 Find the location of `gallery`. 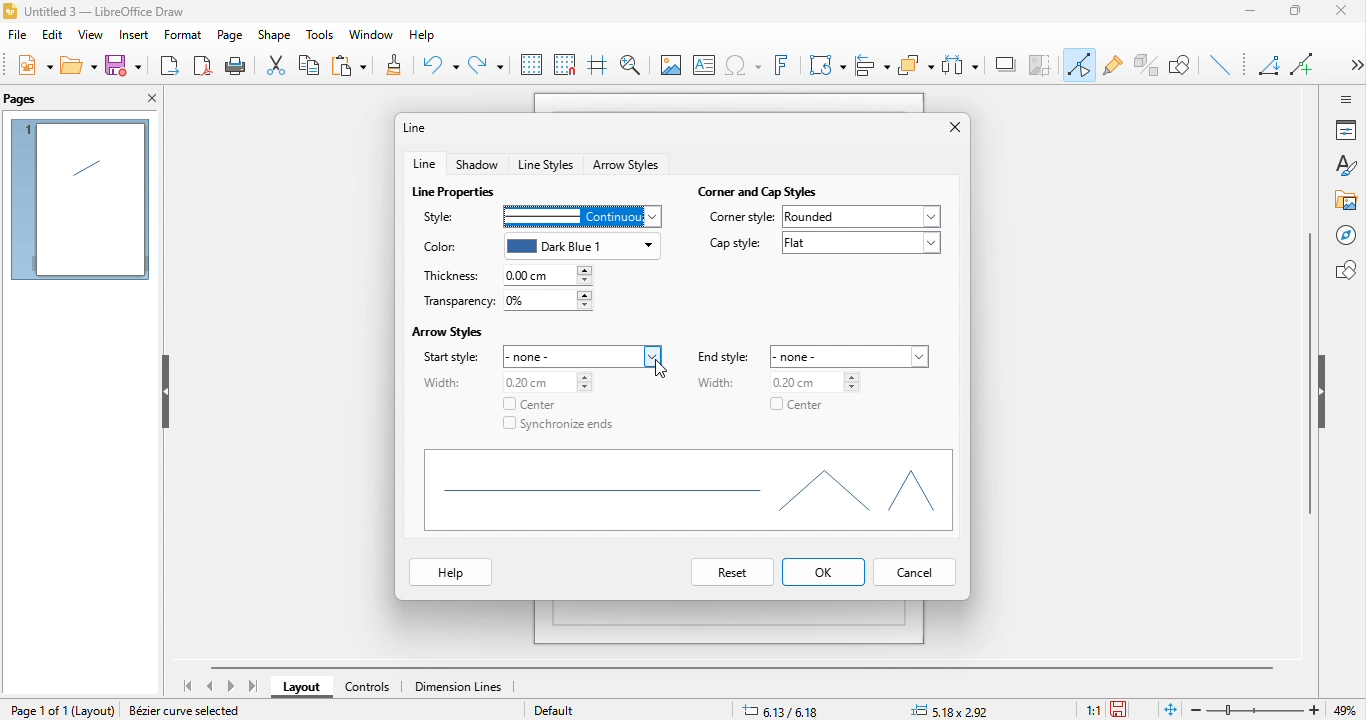

gallery is located at coordinates (1347, 201).